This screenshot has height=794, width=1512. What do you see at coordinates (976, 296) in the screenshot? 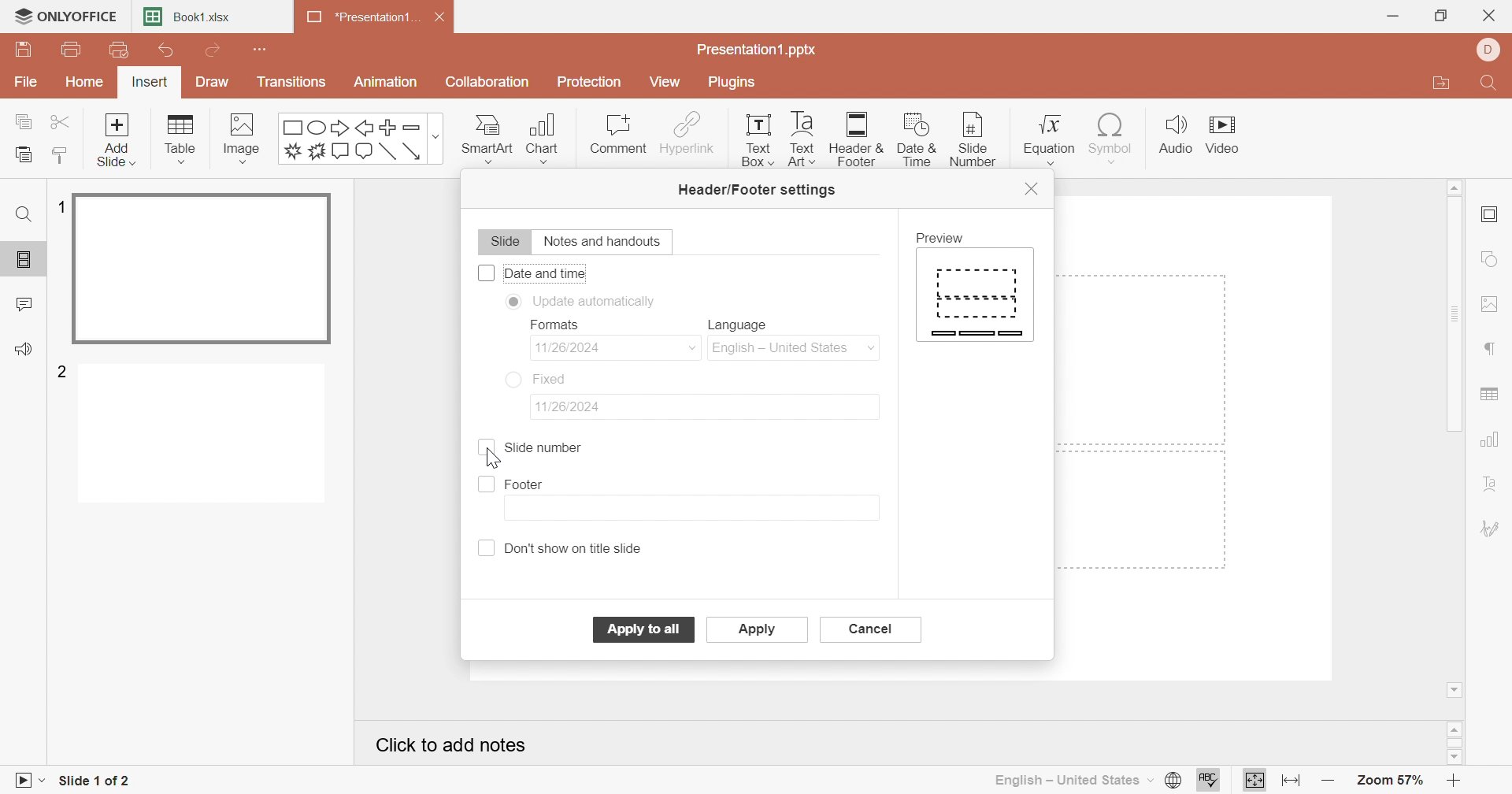
I see `Preview` at bounding box center [976, 296].